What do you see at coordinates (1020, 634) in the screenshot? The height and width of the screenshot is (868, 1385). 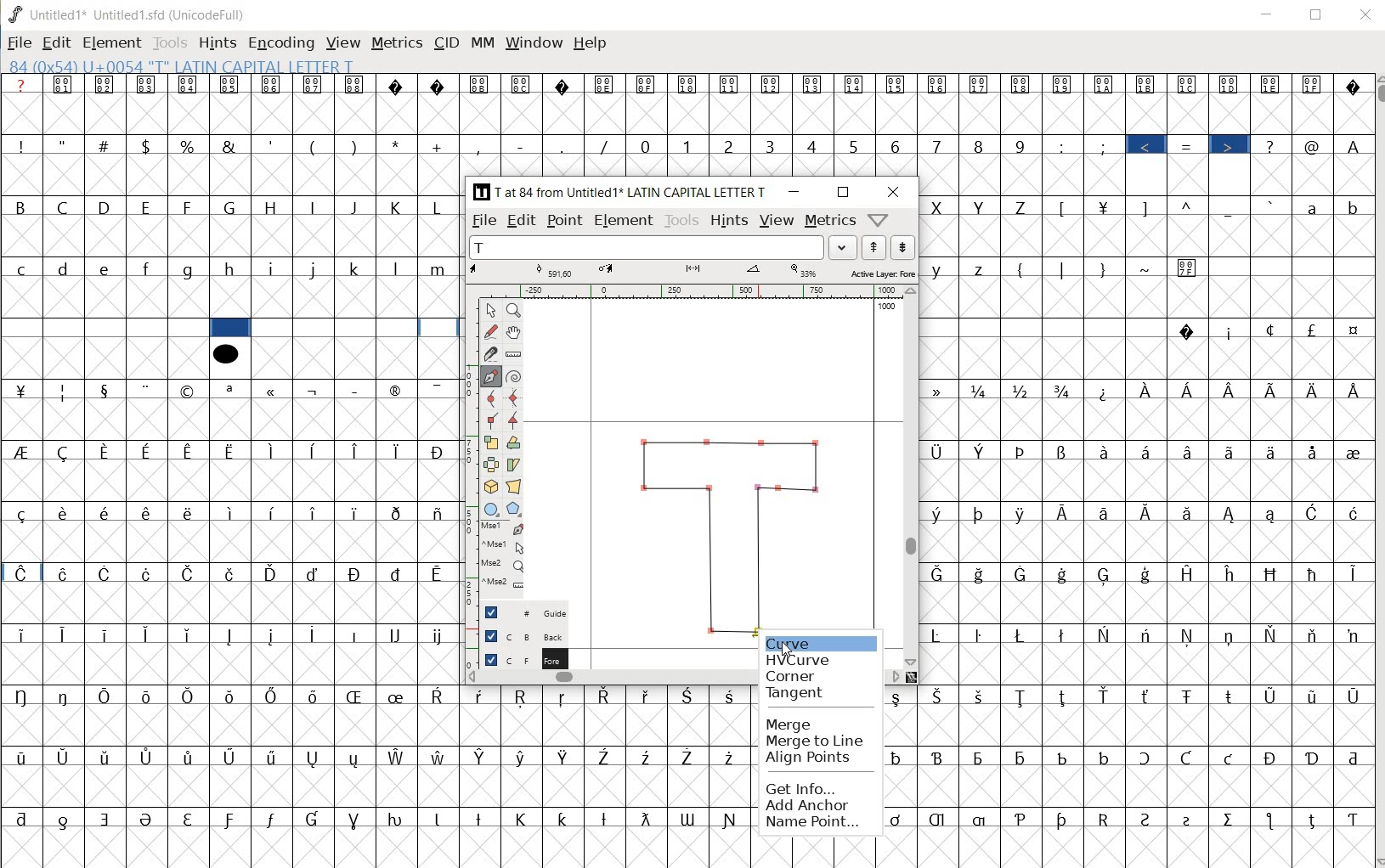 I see `Symbol` at bounding box center [1020, 634].